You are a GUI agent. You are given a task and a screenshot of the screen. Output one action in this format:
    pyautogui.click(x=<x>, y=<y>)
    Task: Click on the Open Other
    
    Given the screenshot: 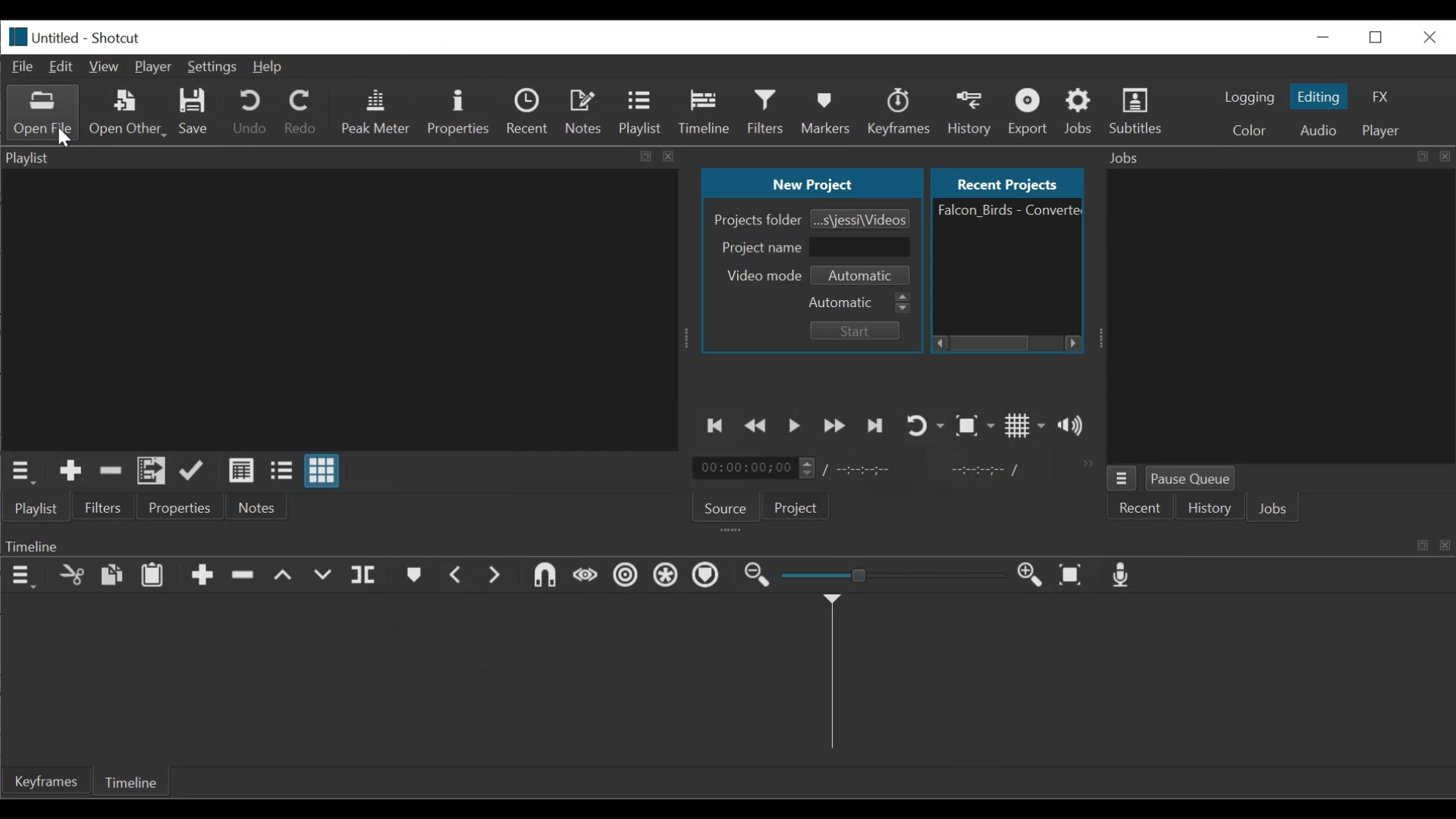 What is the action you would take?
    pyautogui.click(x=125, y=112)
    